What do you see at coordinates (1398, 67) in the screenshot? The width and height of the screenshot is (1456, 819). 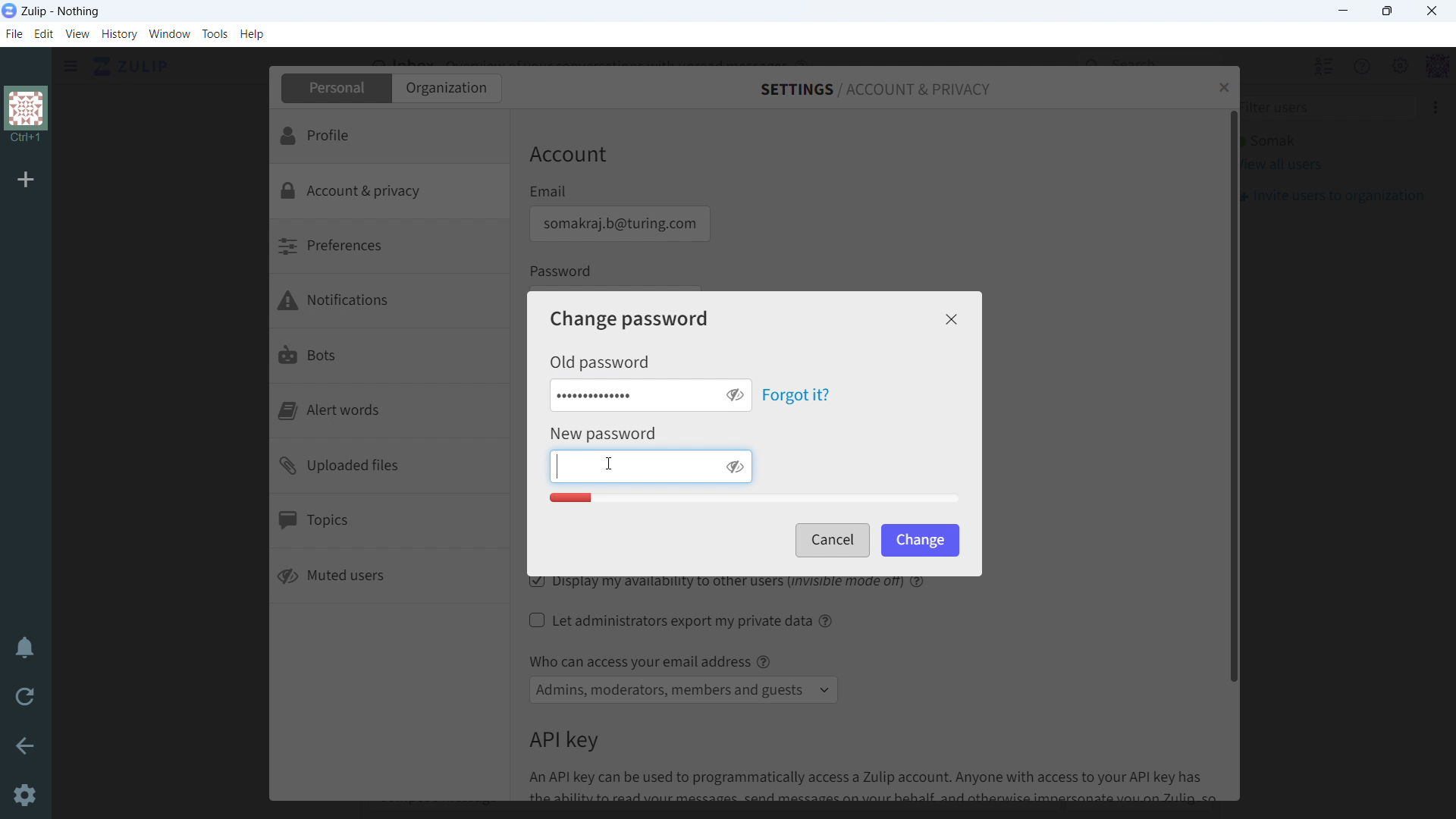 I see `main menu` at bounding box center [1398, 67].